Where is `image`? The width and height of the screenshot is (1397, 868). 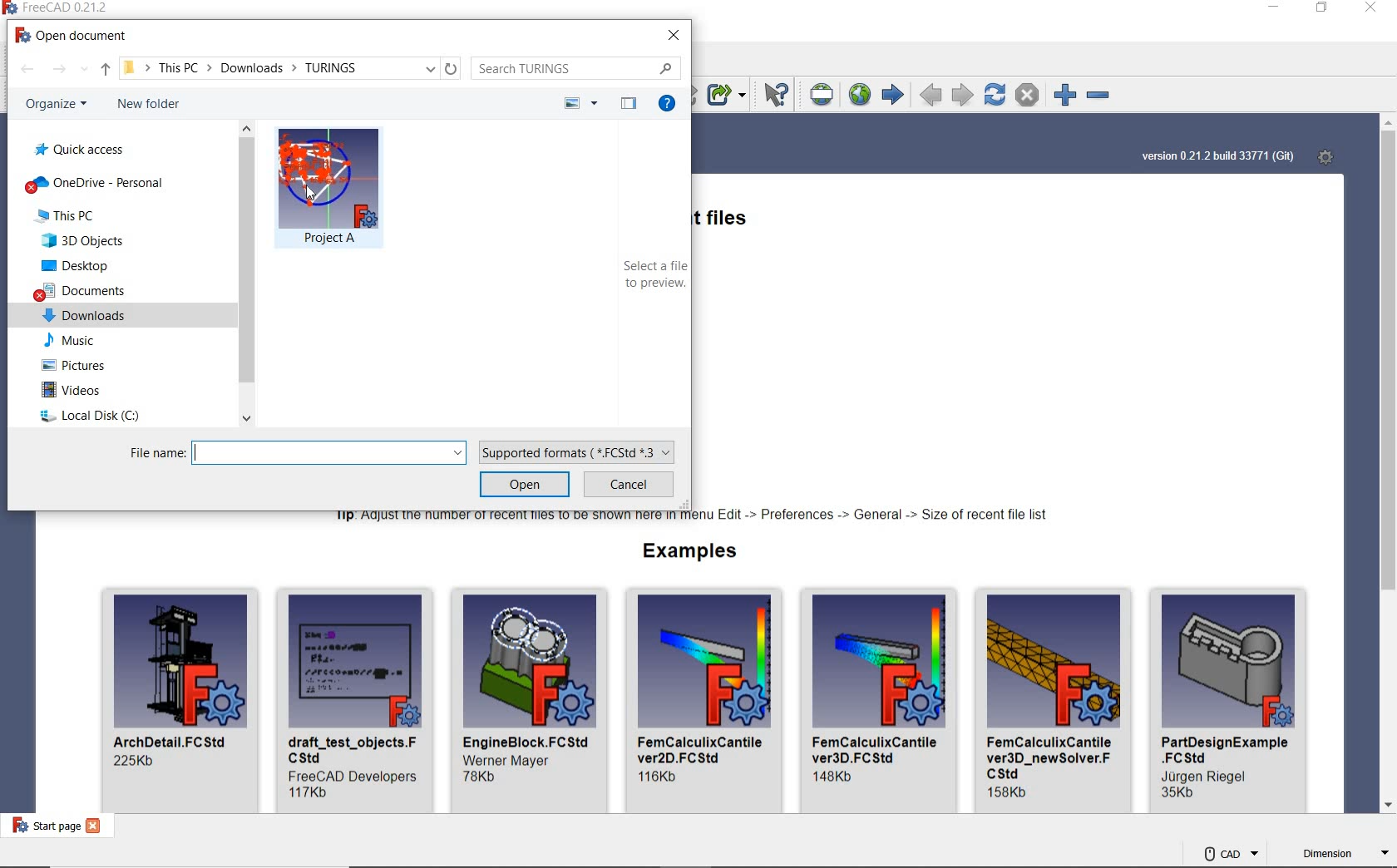
image is located at coordinates (705, 660).